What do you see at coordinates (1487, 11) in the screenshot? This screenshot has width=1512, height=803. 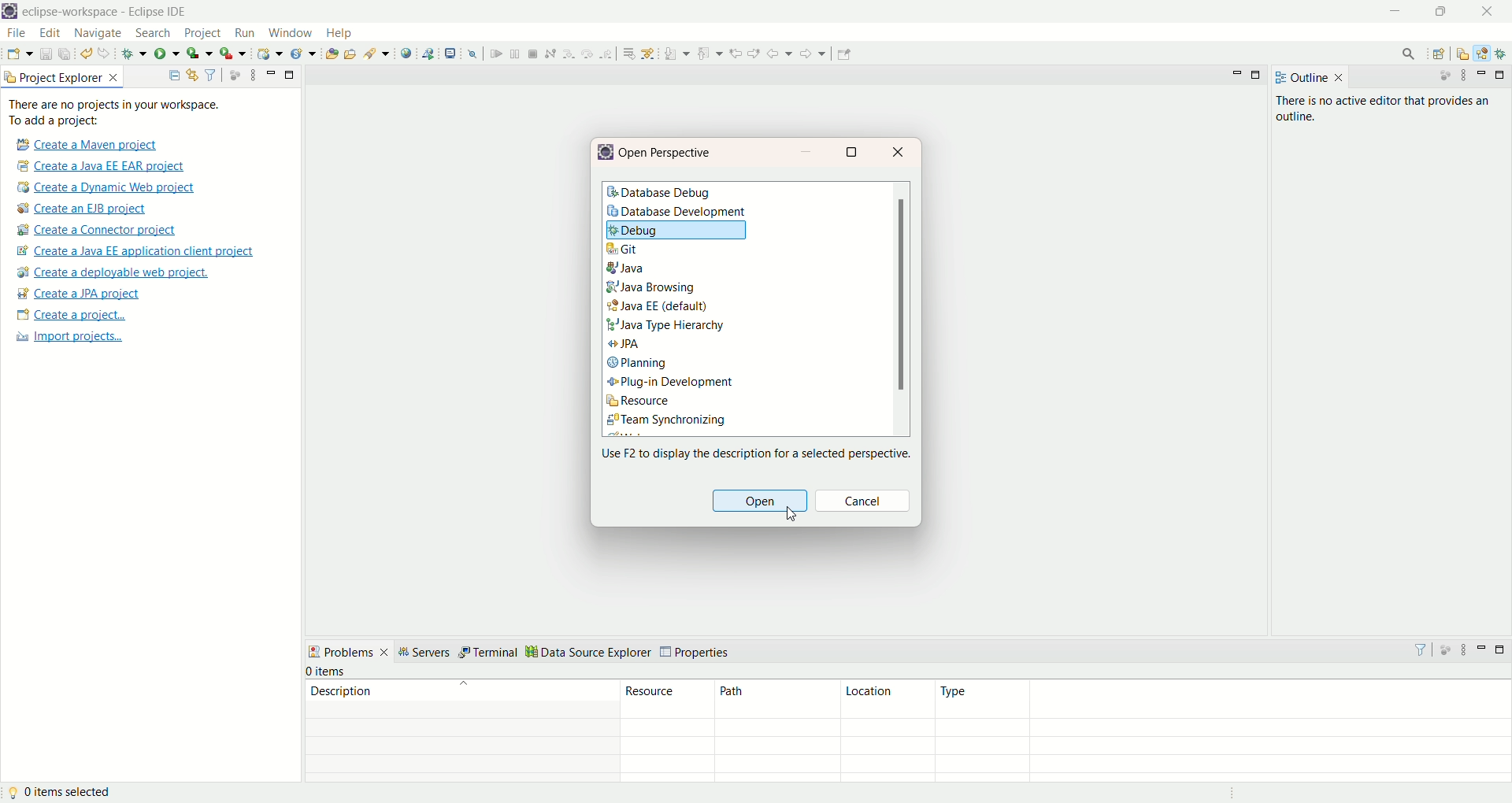 I see `close` at bounding box center [1487, 11].